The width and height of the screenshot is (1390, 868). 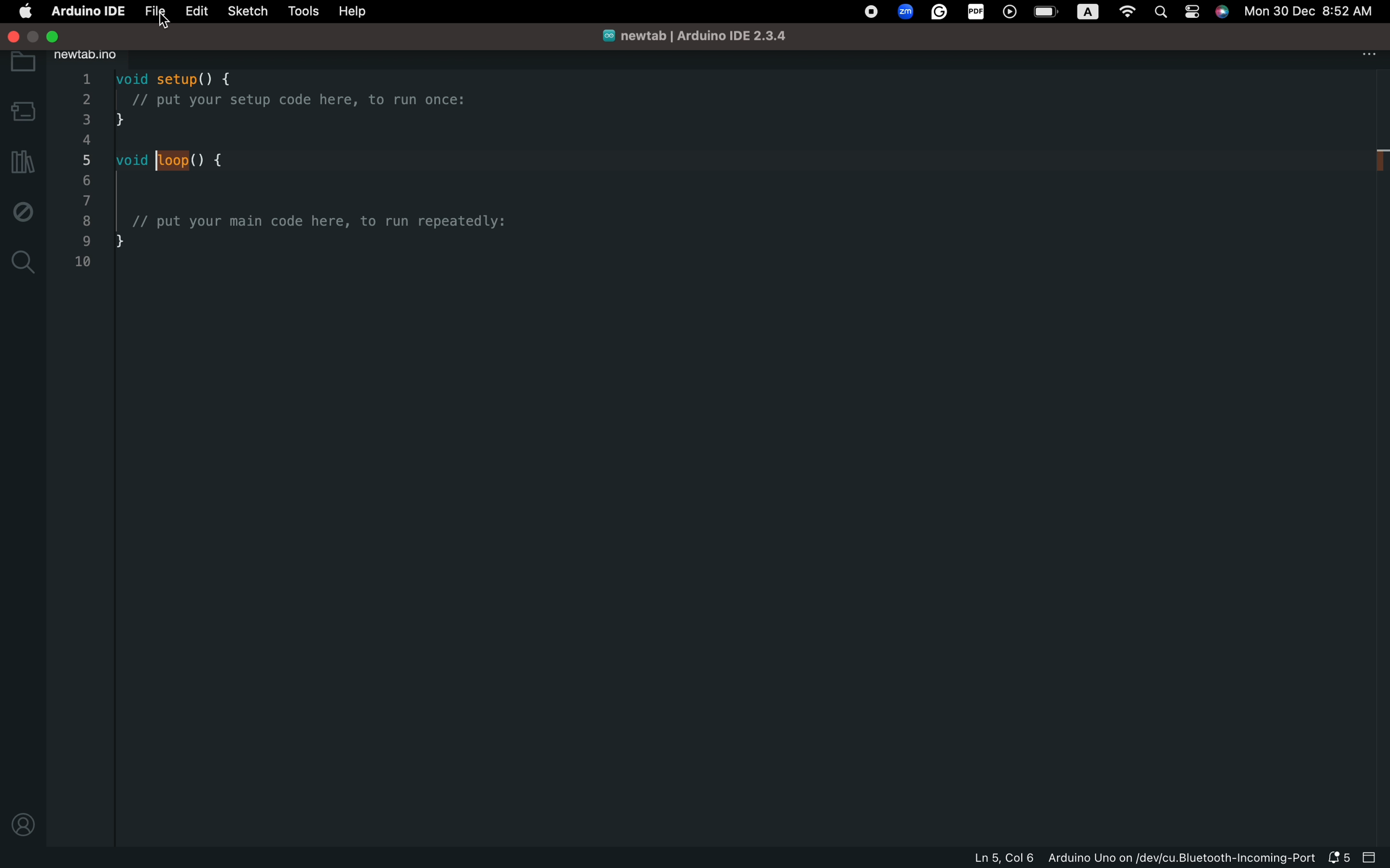 I want to click on close slide bar, so click(x=1373, y=858).